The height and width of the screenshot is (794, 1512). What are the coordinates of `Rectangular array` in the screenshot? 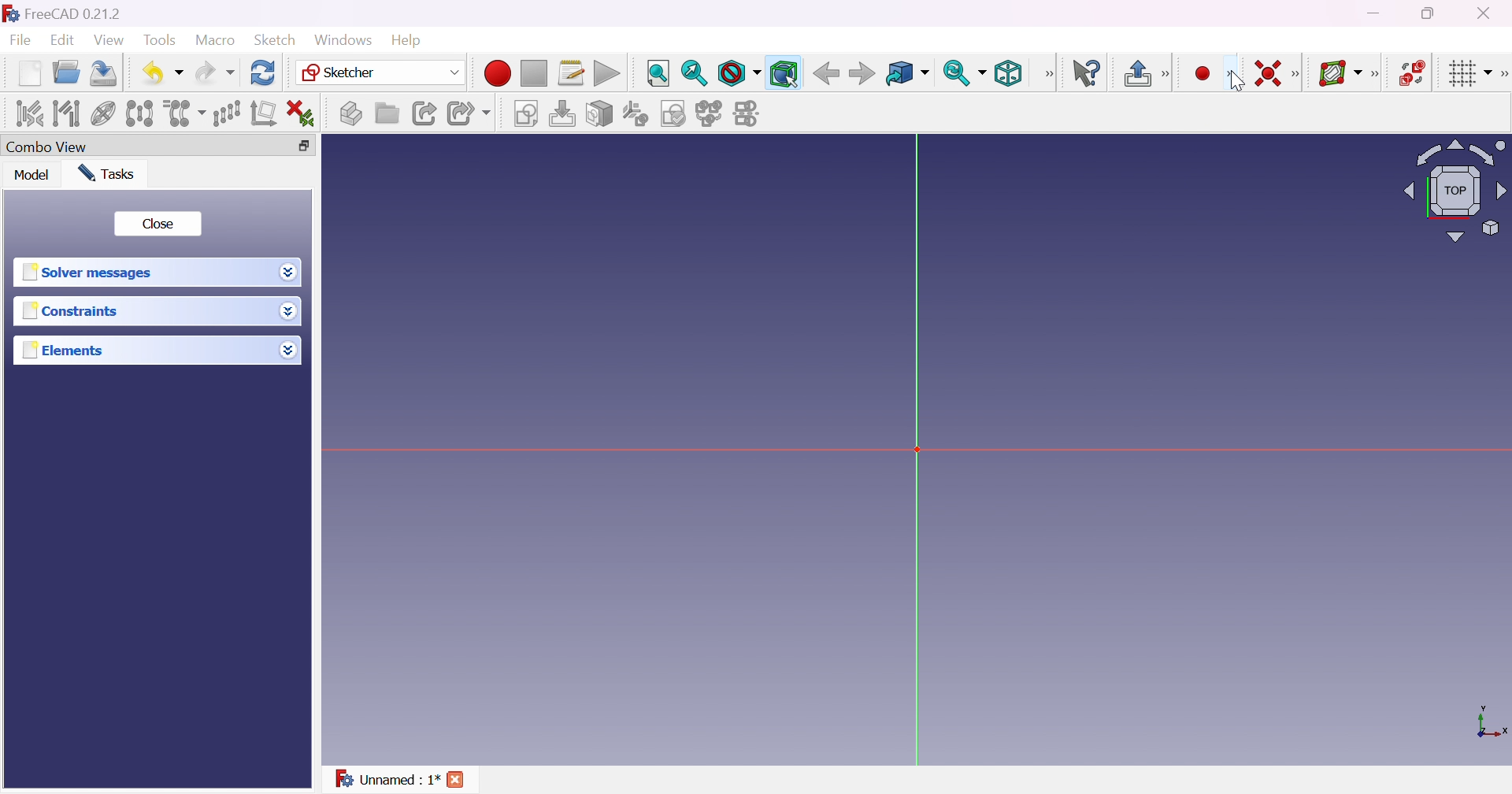 It's located at (226, 114).